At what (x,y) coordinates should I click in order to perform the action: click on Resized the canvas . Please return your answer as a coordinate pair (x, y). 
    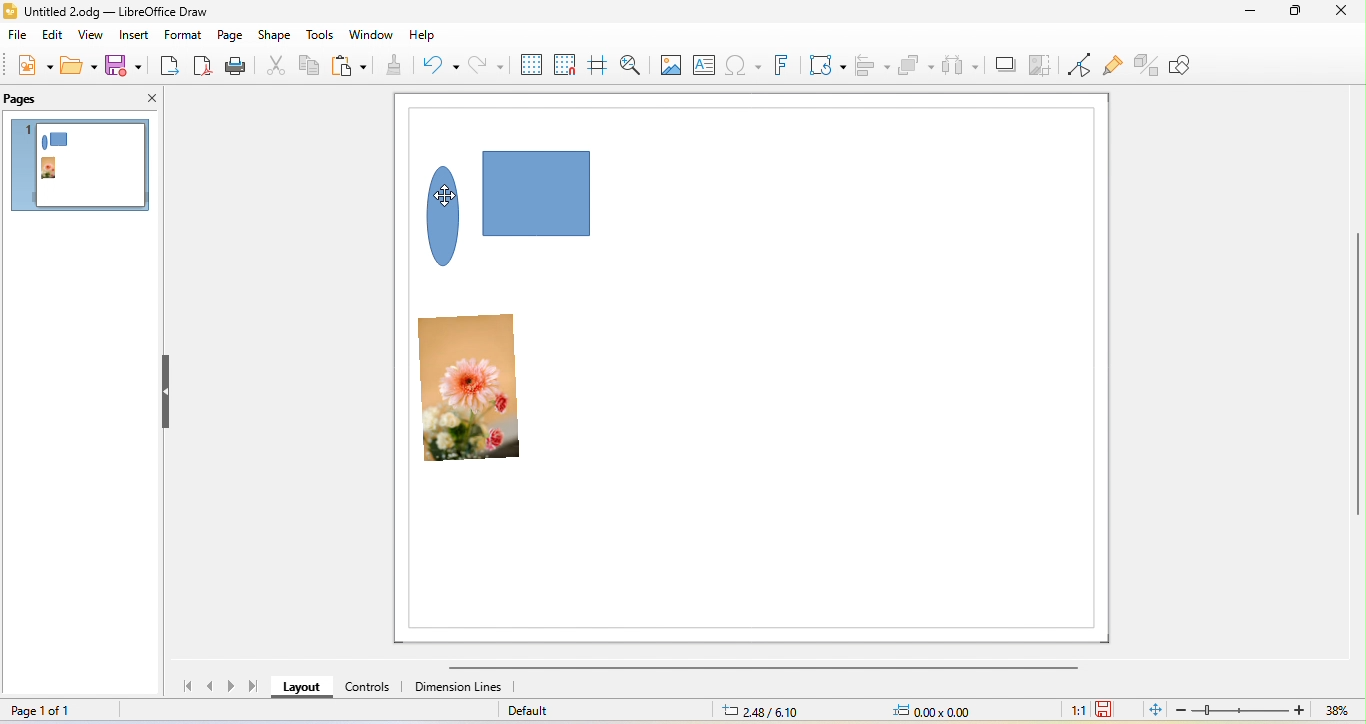
    Looking at the image, I should click on (767, 371).